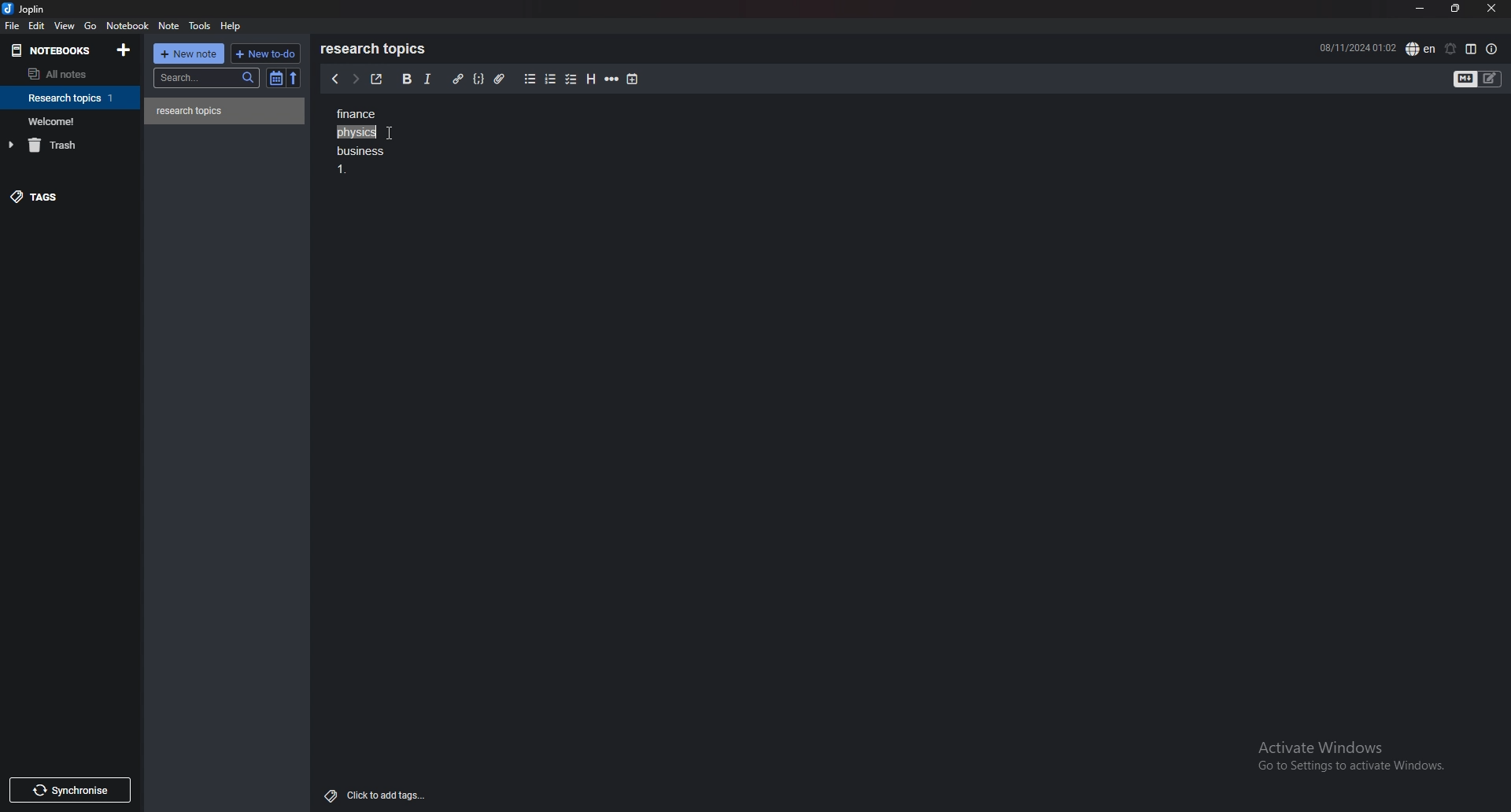 The image size is (1511, 812). What do you see at coordinates (13, 26) in the screenshot?
I see `file` at bounding box center [13, 26].